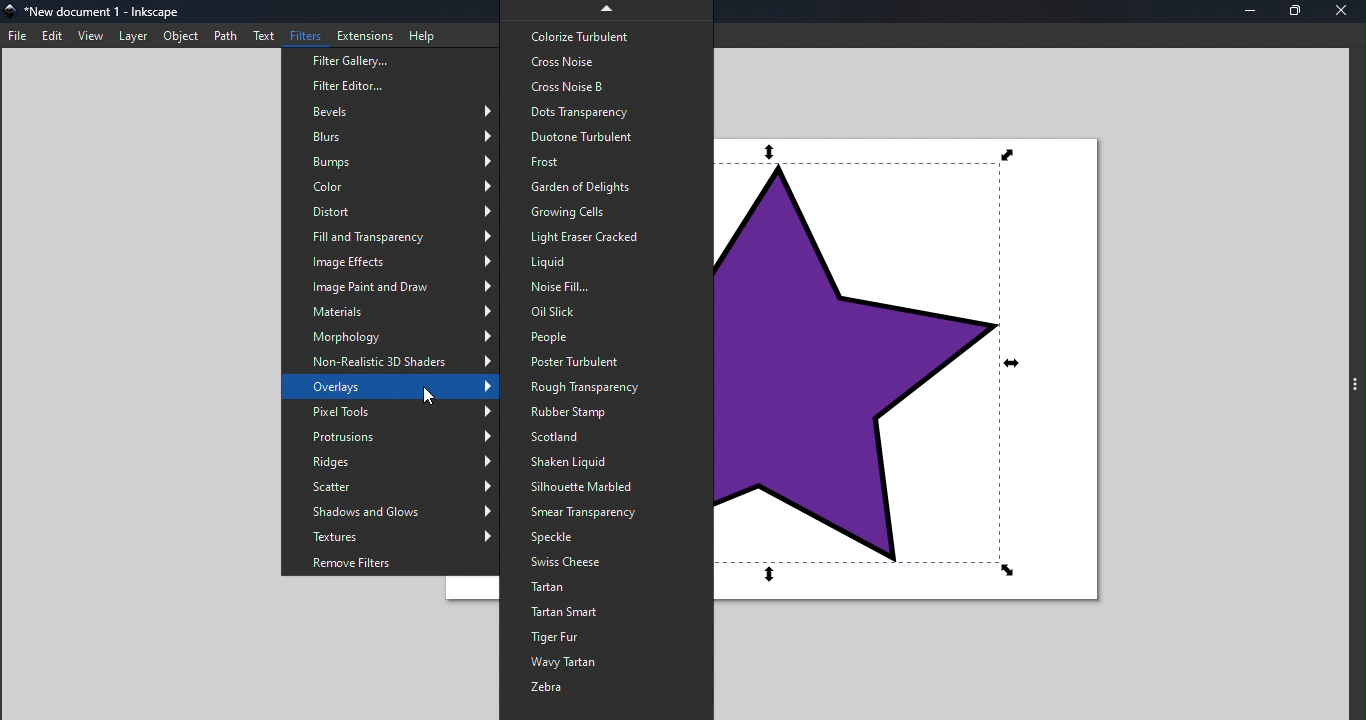  Describe the element at coordinates (391, 388) in the screenshot. I see `Overlays` at that location.